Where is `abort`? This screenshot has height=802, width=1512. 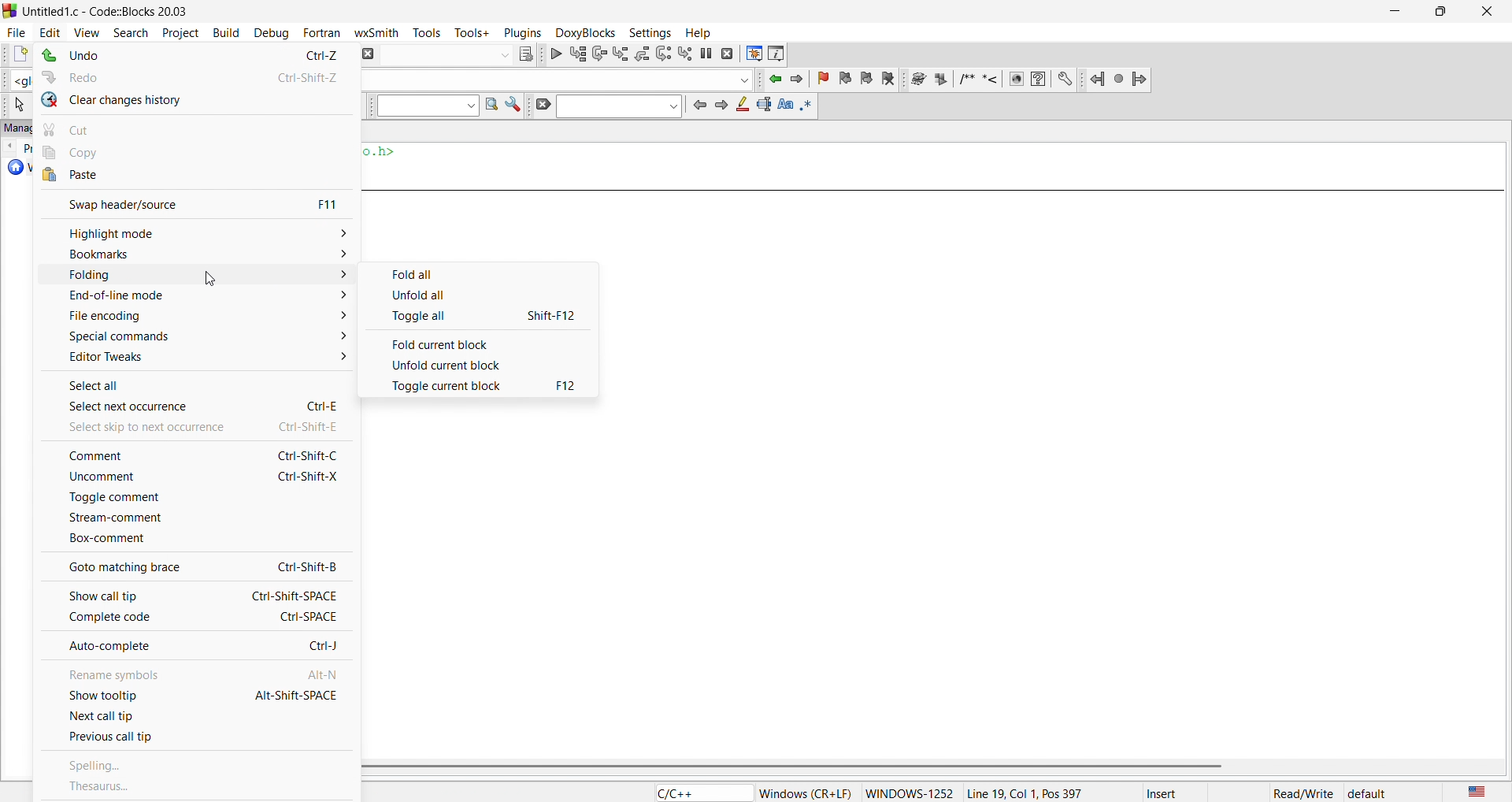 abort is located at coordinates (366, 53).